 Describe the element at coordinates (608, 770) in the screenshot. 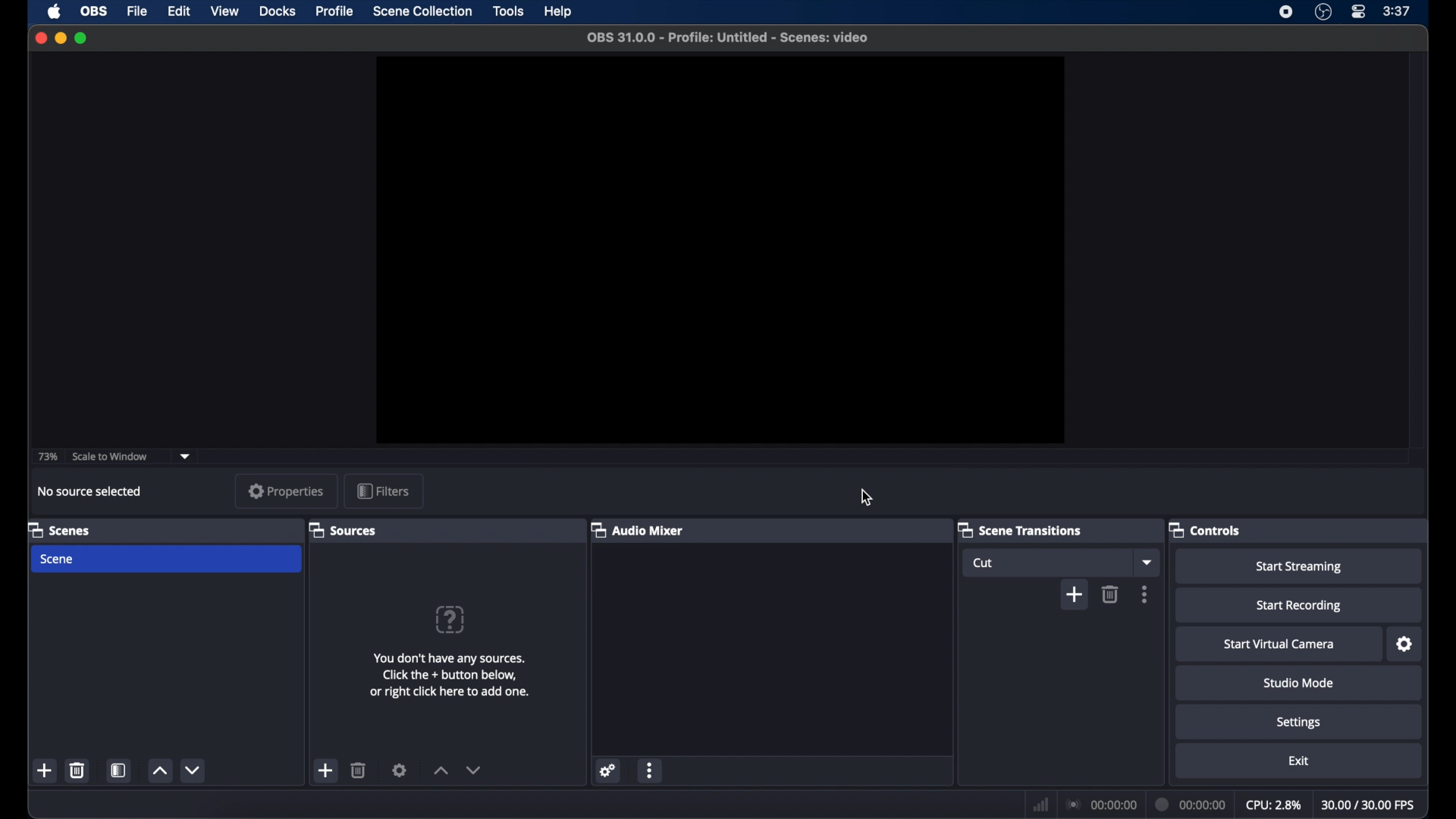

I see `settings` at that location.